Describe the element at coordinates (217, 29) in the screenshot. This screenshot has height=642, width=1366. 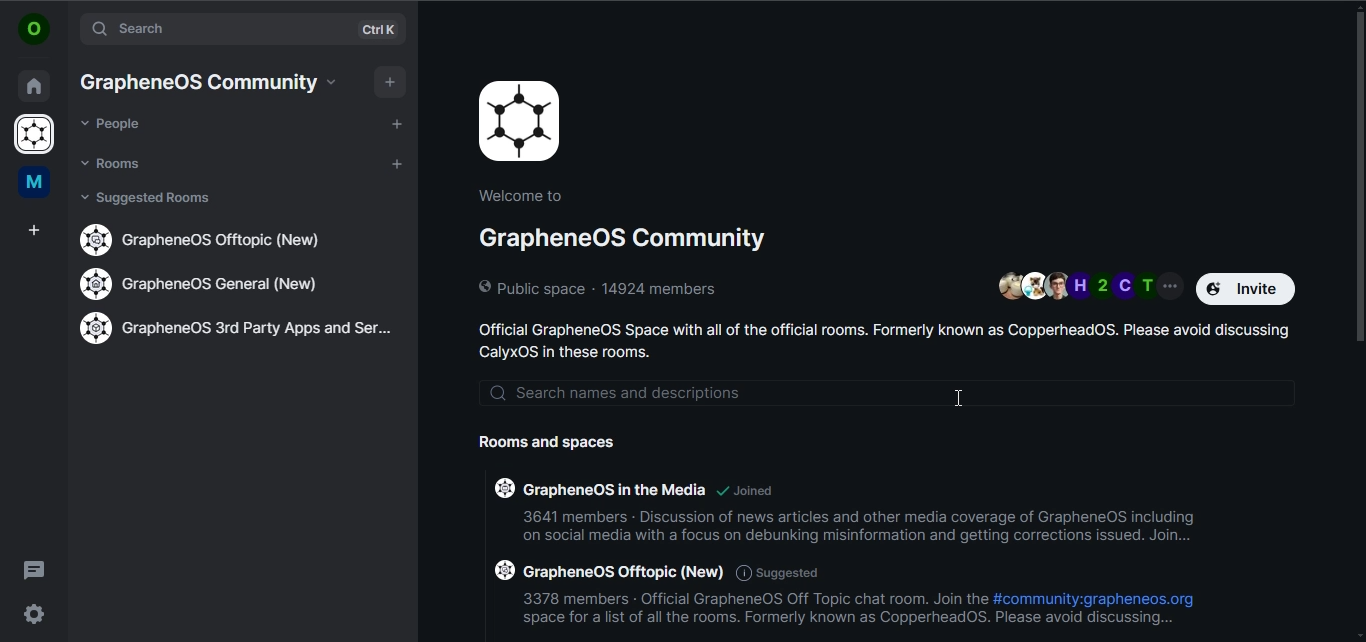
I see `search` at that location.